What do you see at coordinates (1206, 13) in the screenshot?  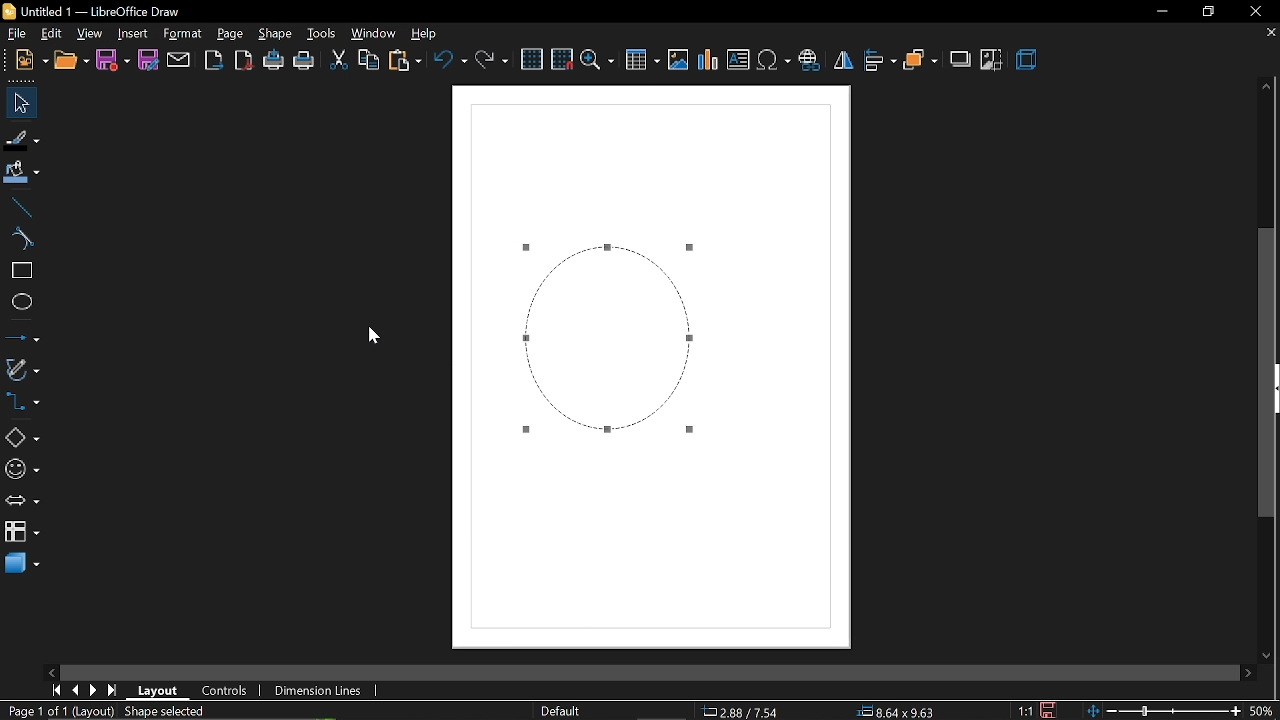 I see `restore down` at bounding box center [1206, 13].